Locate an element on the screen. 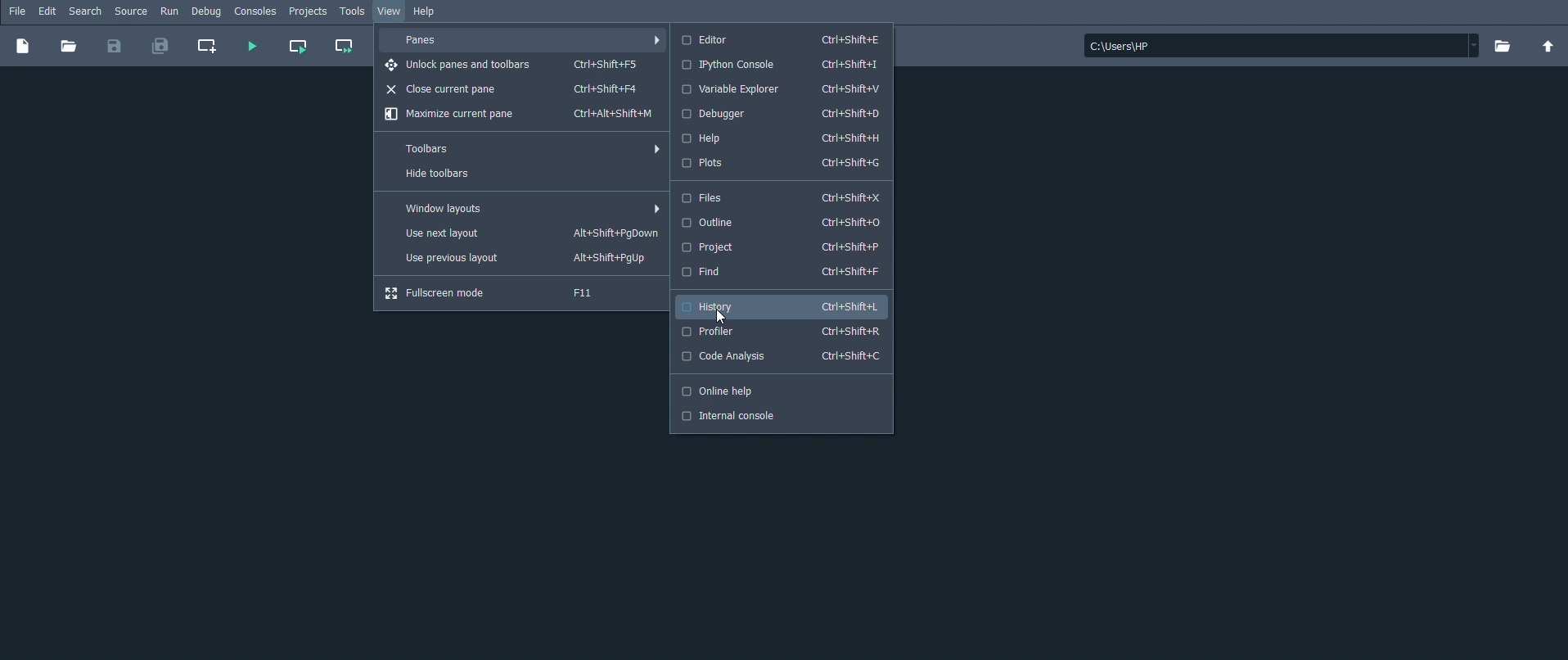  Maximize current pane is located at coordinates (522, 114).